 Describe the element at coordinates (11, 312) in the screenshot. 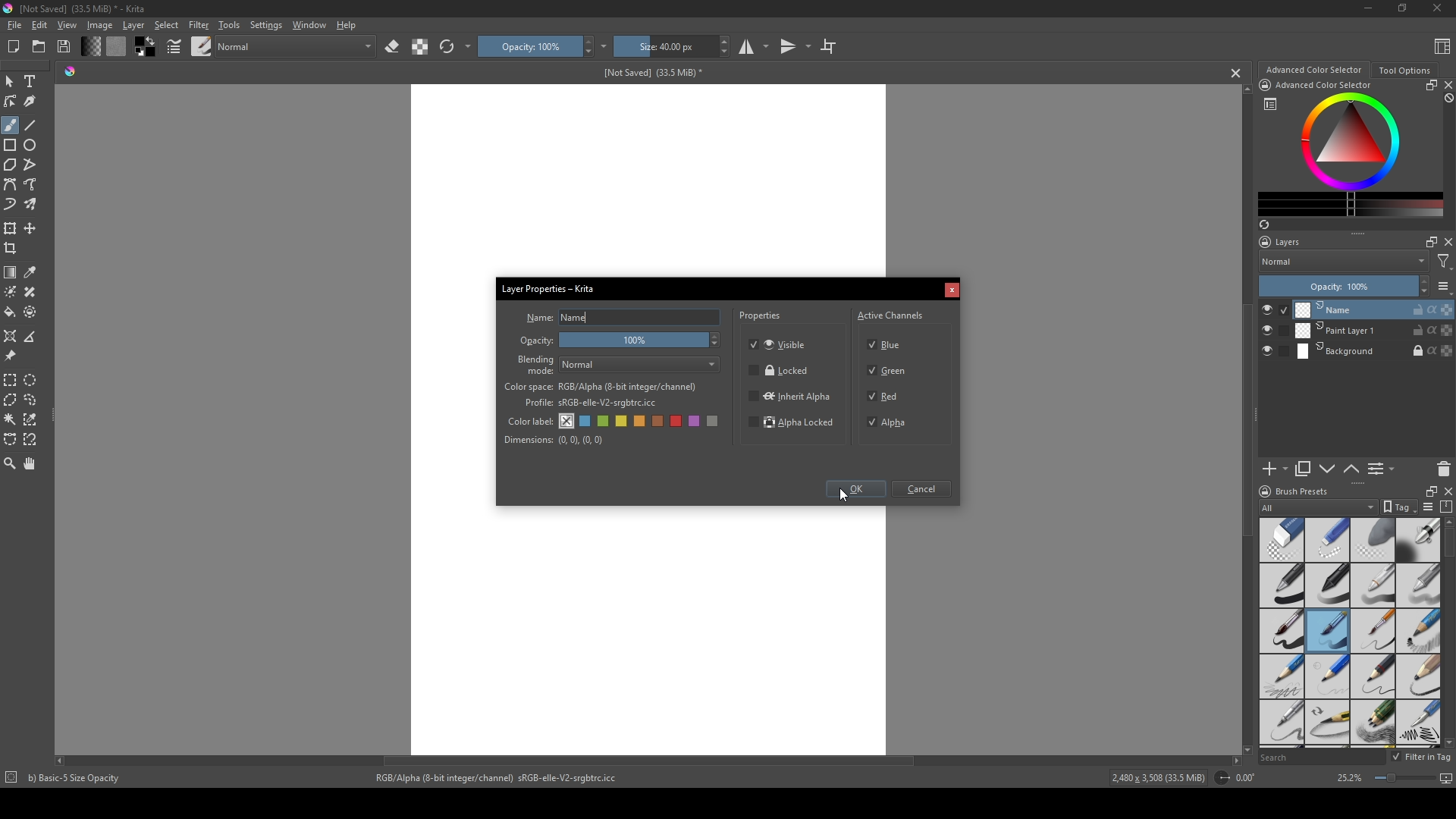

I see `bucket fill` at that location.